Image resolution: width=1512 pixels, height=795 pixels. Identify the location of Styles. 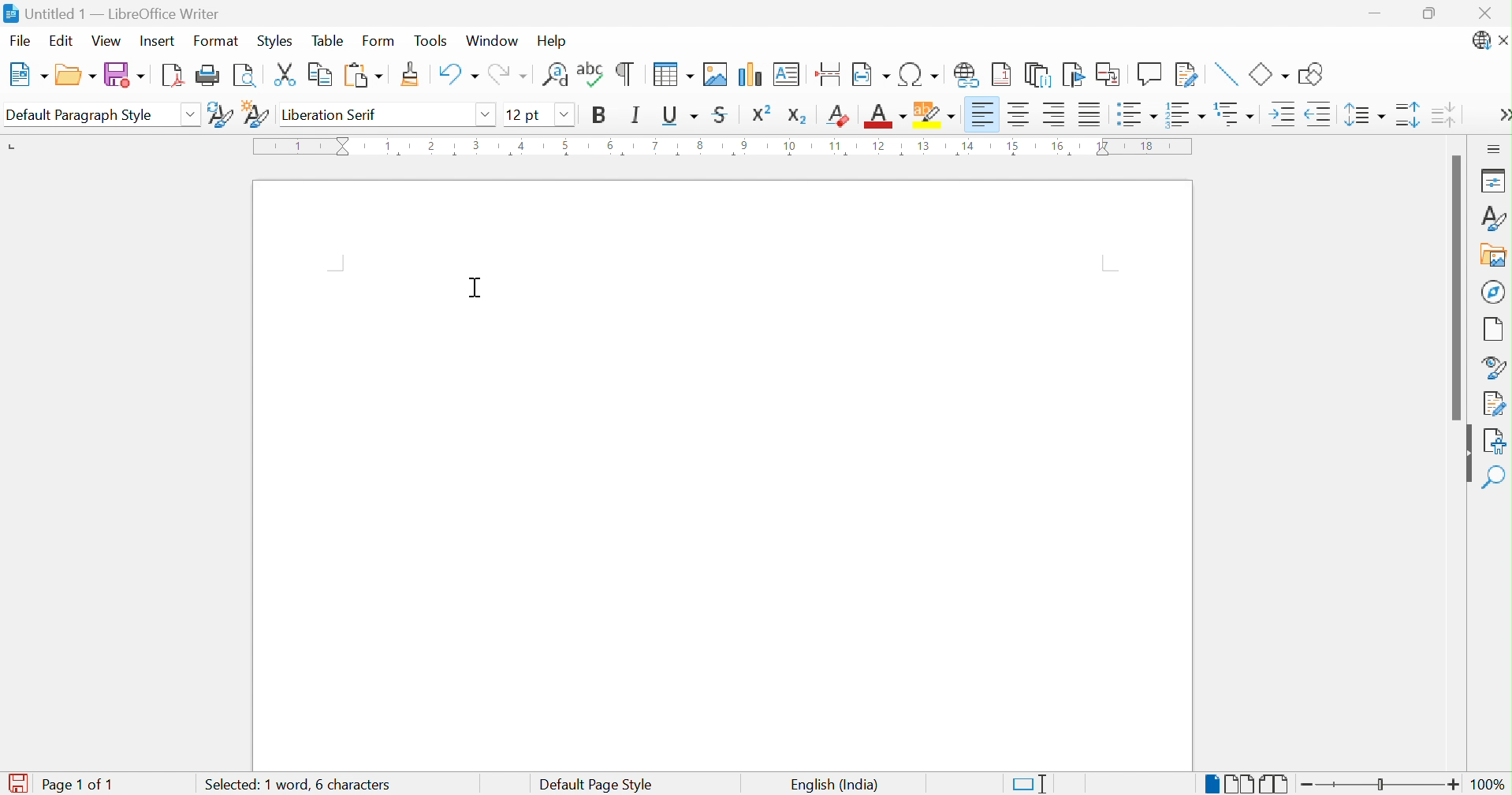
(274, 41).